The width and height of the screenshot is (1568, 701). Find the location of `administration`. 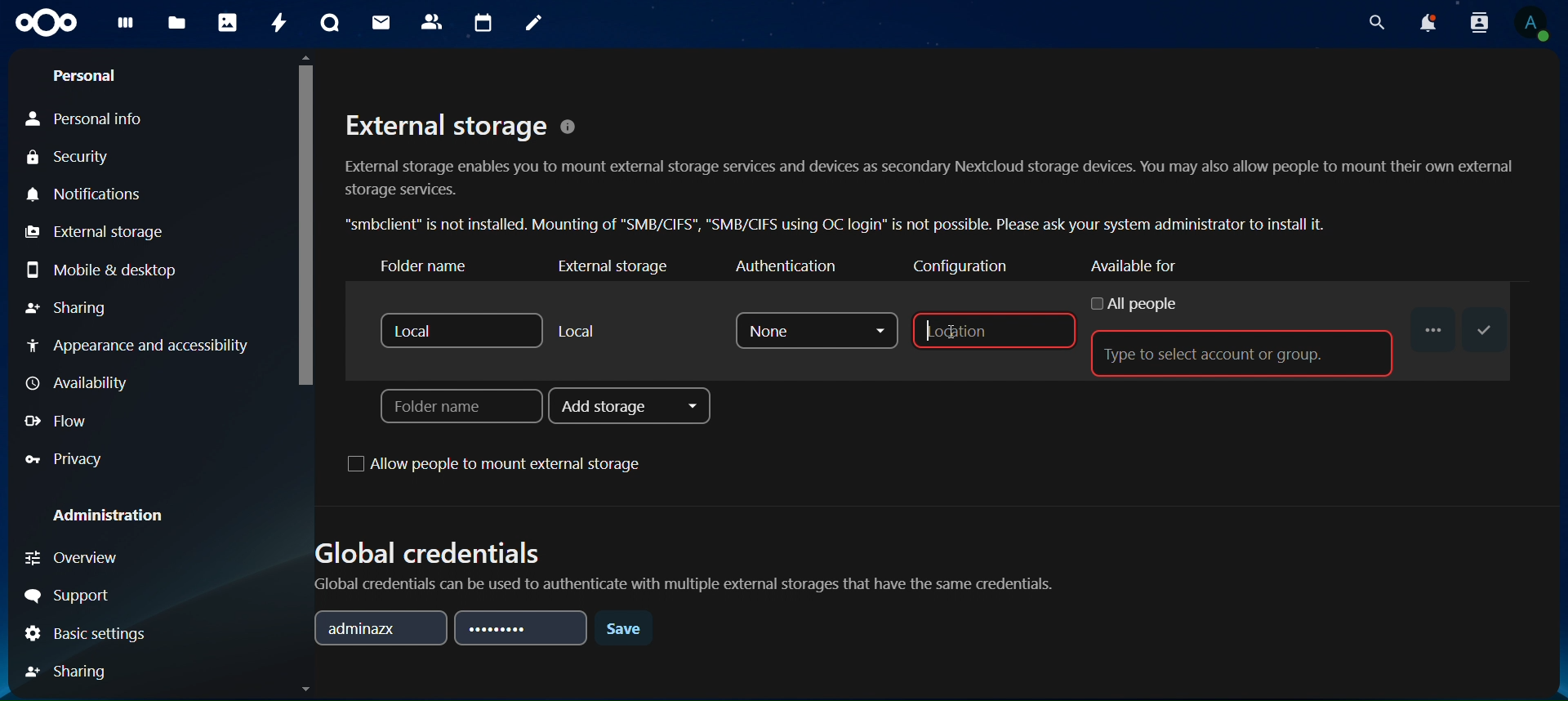

administration is located at coordinates (109, 517).